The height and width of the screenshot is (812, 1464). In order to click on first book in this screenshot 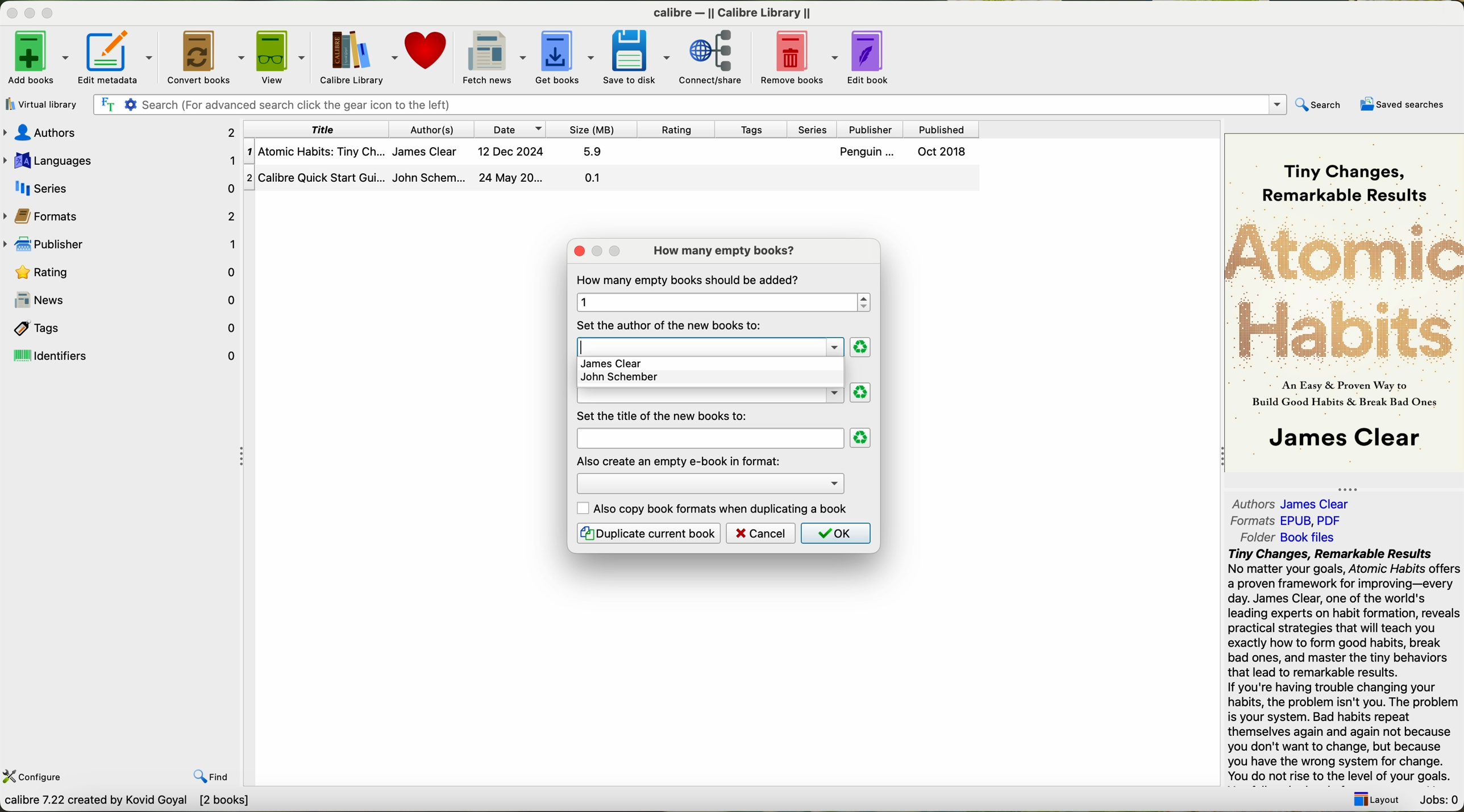, I will do `click(613, 154)`.